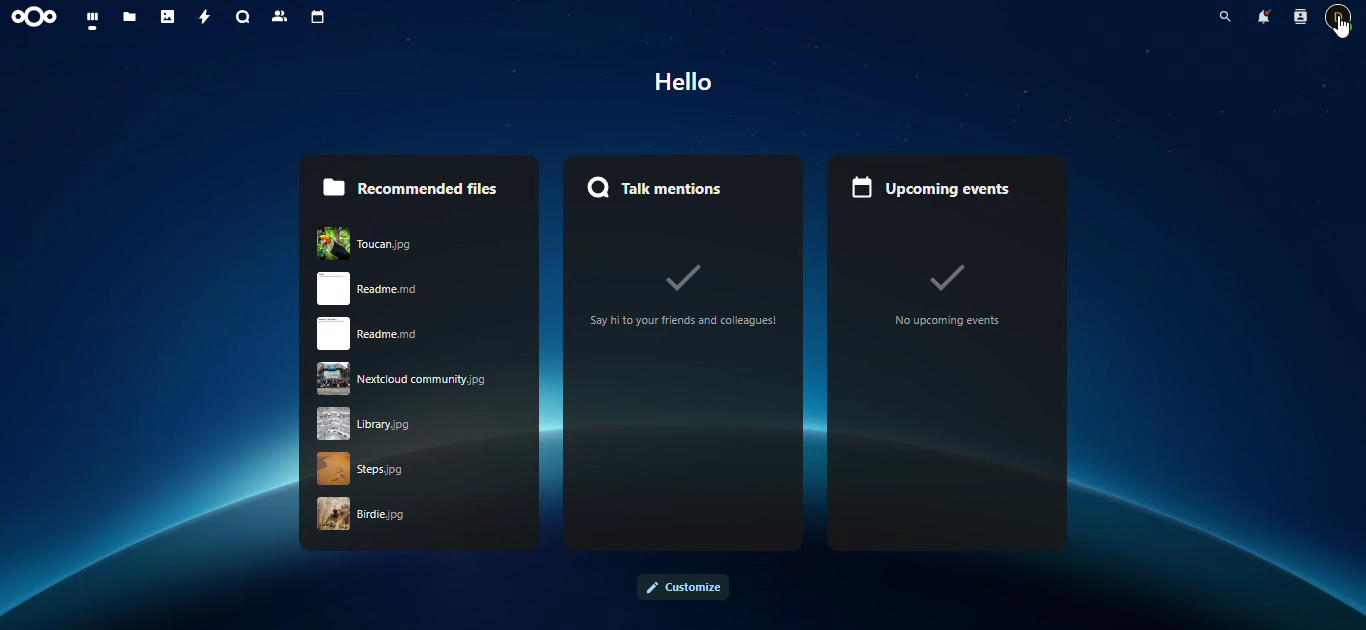 The height and width of the screenshot is (630, 1366). Describe the element at coordinates (417, 185) in the screenshot. I see `recommended files` at that location.